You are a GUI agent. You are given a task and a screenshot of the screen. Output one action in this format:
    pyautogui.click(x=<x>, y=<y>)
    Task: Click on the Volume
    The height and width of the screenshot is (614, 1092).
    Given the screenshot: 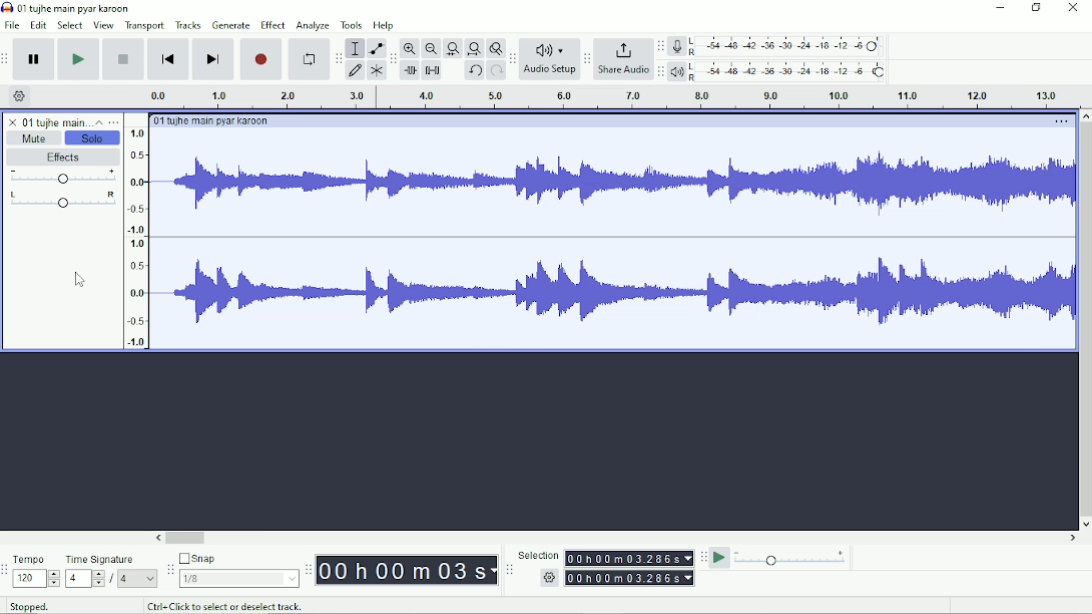 What is the action you would take?
    pyautogui.click(x=62, y=178)
    